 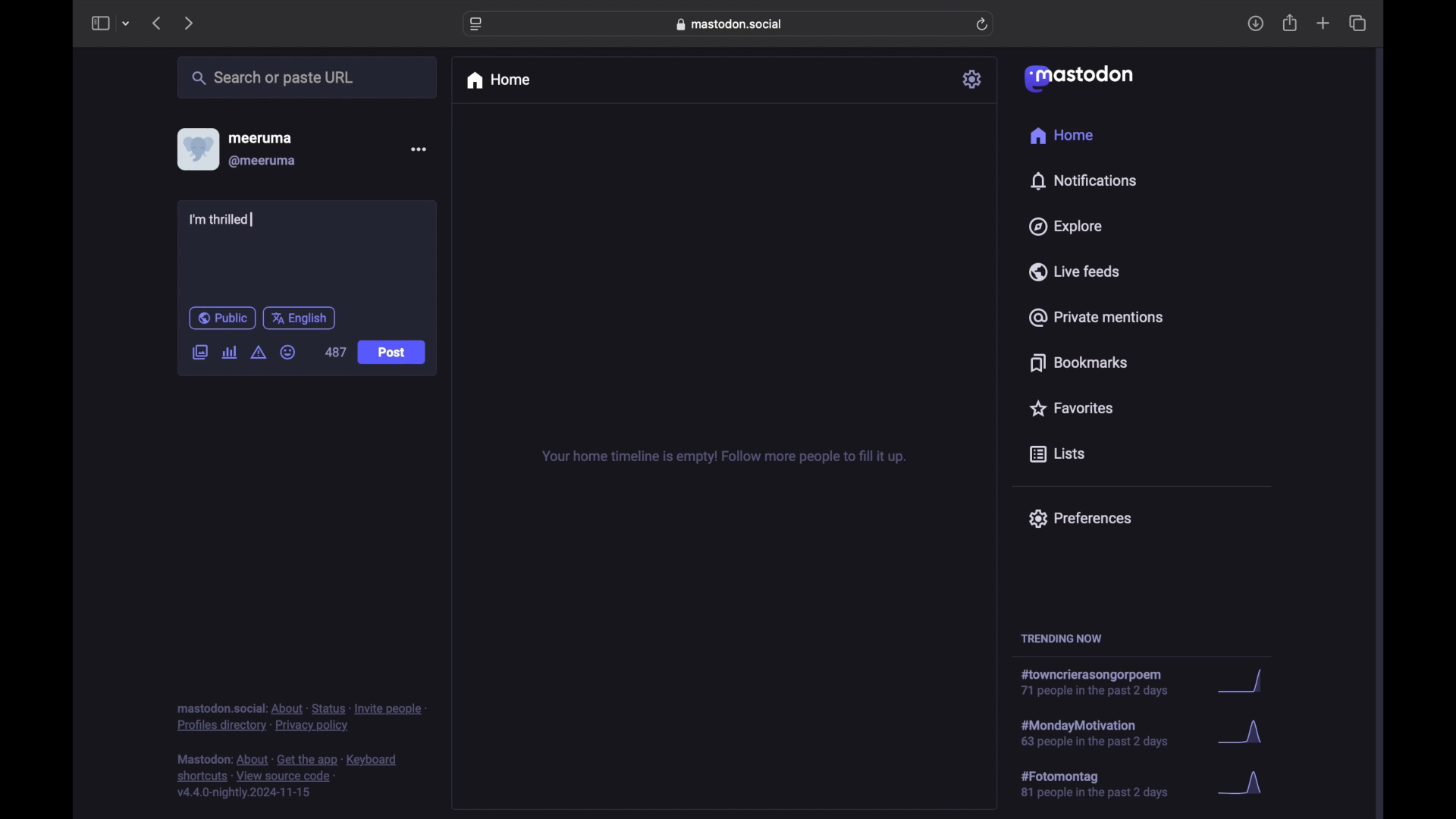 What do you see at coordinates (1246, 682) in the screenshot?
I see `graph` at bounding box center [1246, 682].